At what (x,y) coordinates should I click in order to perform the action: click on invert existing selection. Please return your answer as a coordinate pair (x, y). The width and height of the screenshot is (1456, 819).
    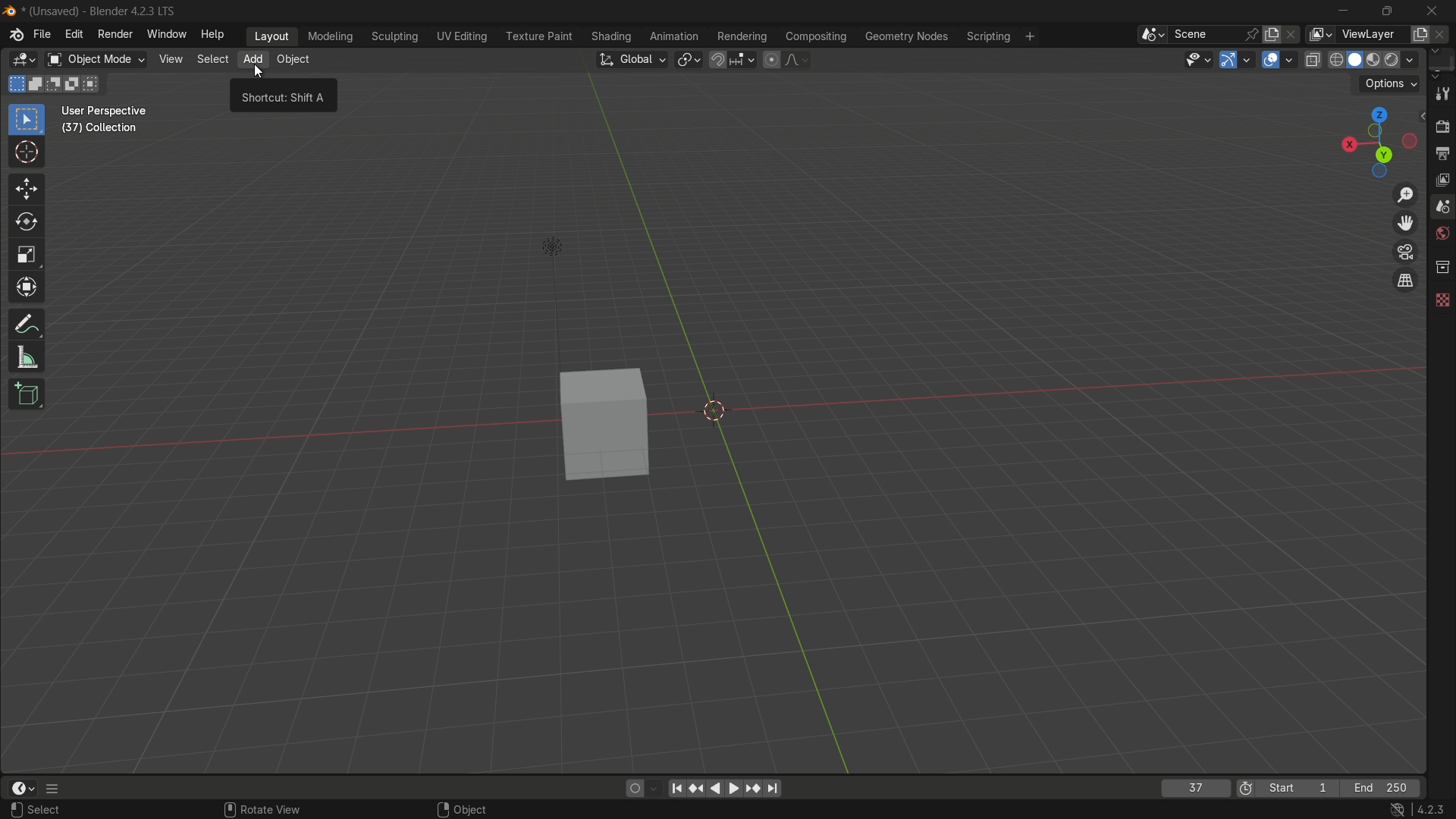
    Looking at the image, I should click on (76, 83).